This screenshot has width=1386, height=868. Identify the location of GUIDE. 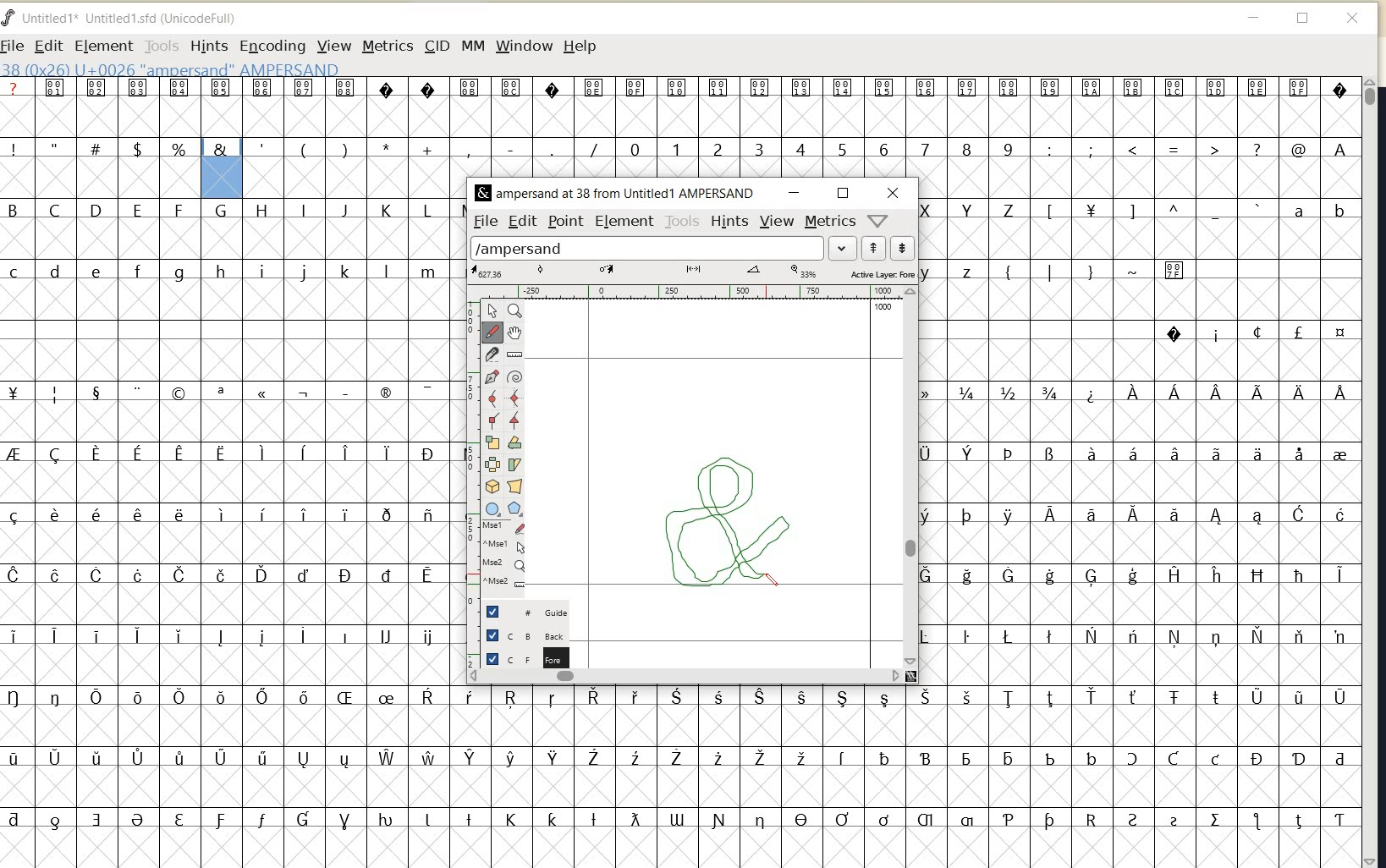
(524, 611).